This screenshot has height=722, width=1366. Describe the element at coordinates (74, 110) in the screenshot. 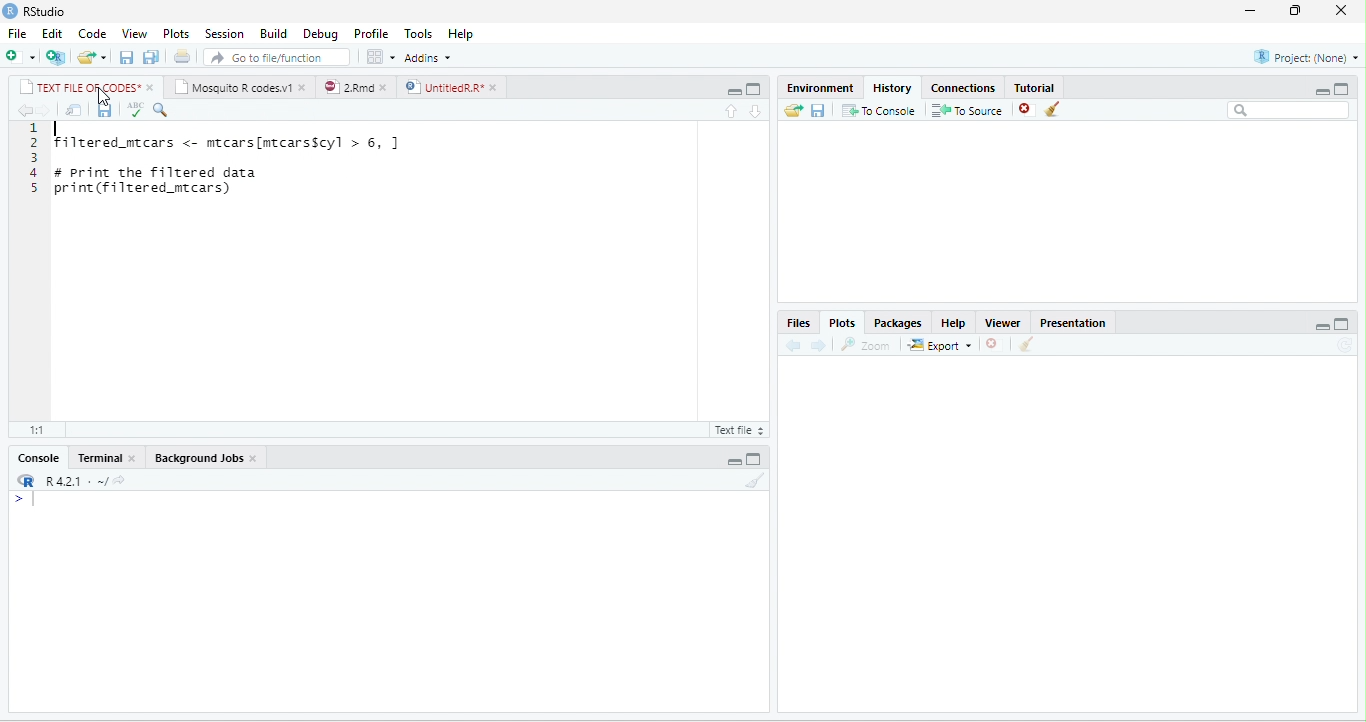

I see `show in new window` at that location.